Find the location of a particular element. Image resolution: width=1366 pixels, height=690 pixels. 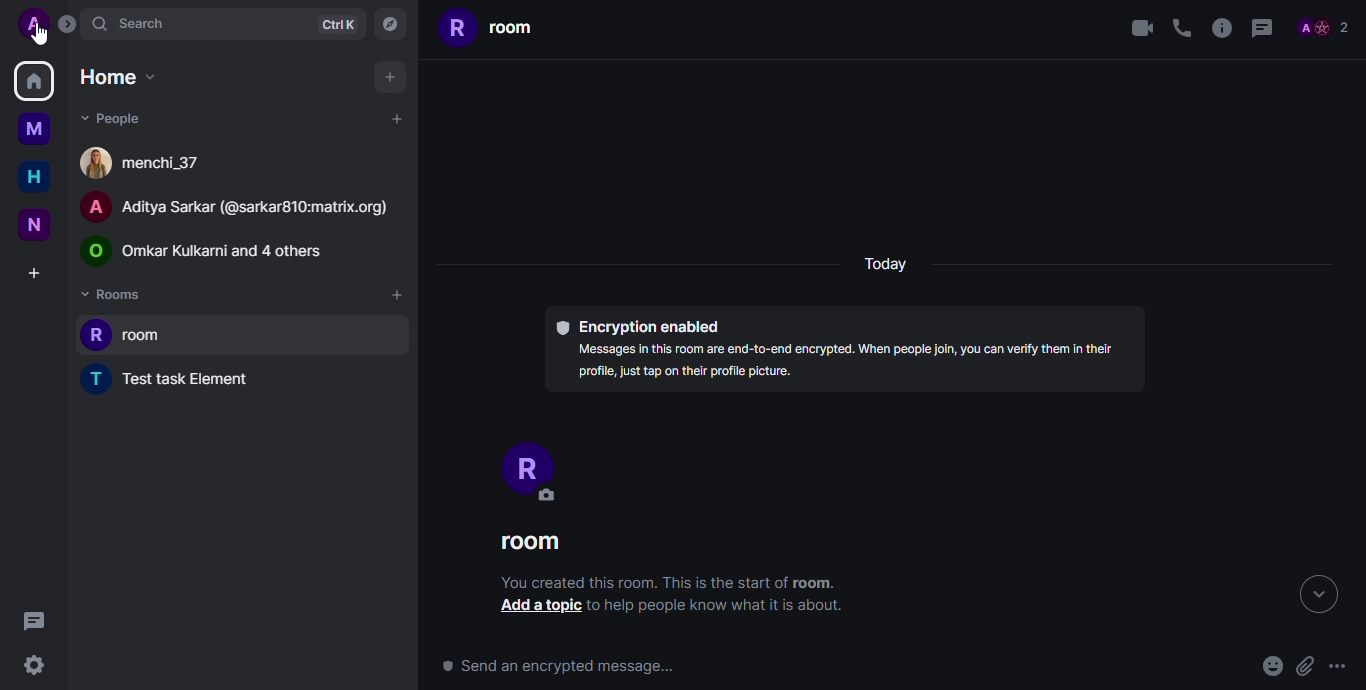

contact is located at coordinates (144, 163).